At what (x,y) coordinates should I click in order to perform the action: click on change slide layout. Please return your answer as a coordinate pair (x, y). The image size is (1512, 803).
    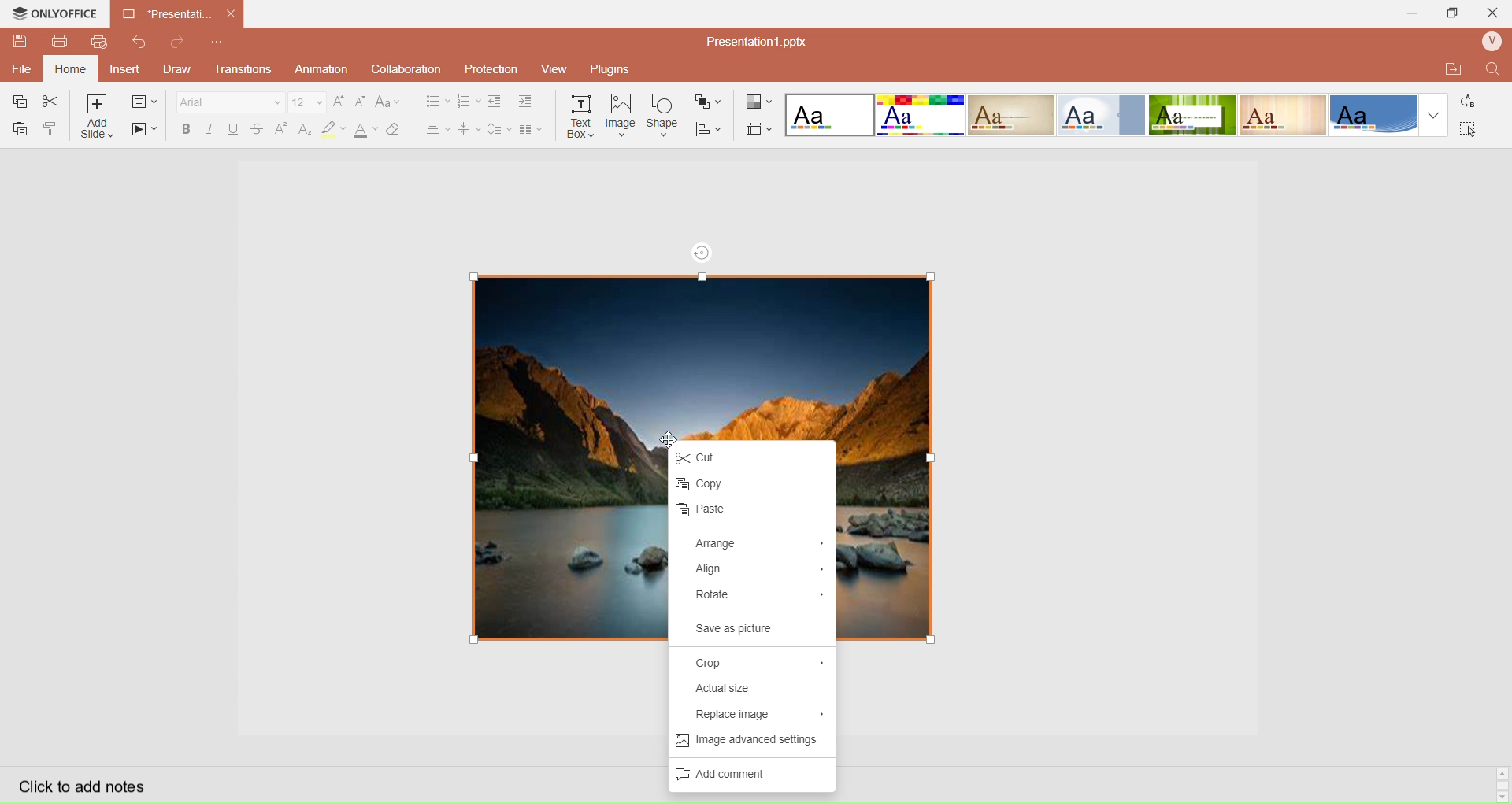
    Looking at the image, I should click on (142, 101).